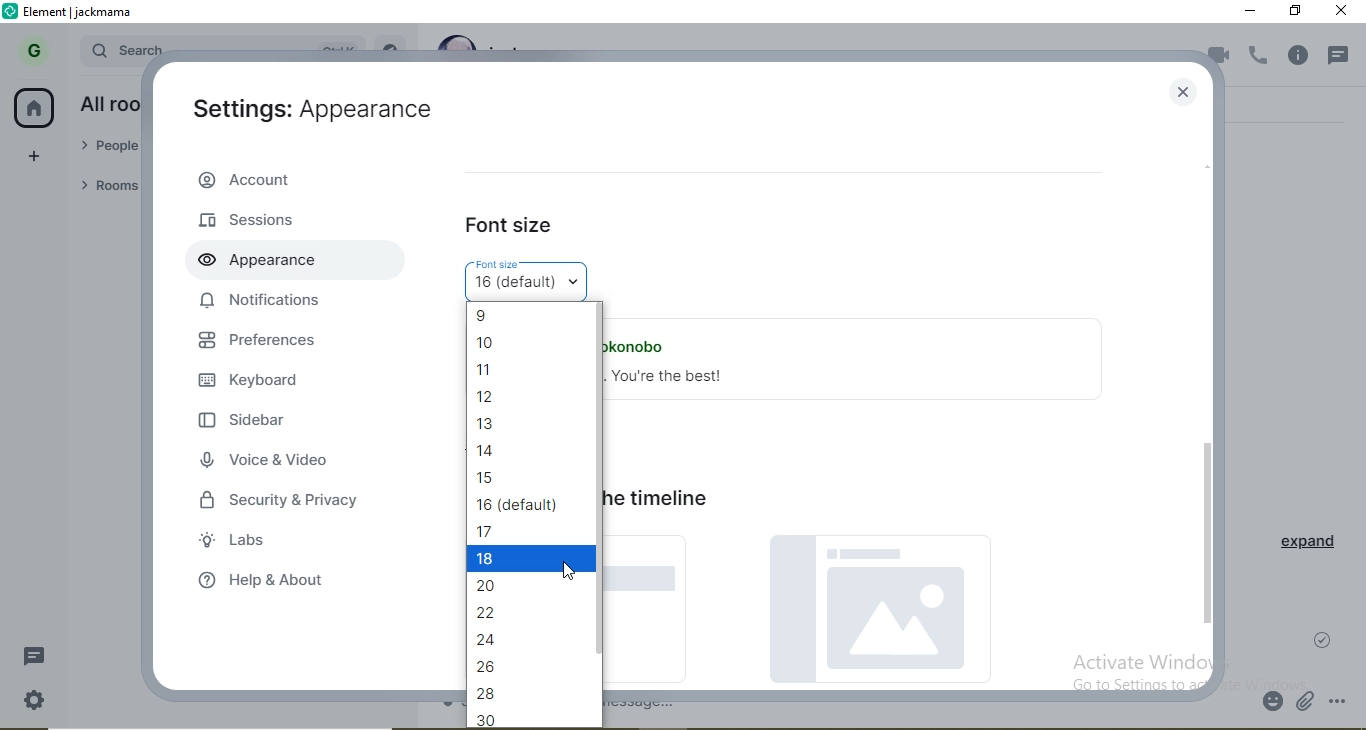 Image resolution: width=1366 pixels, height=730 pixels. I want to click on preferences, so click(273, 340).